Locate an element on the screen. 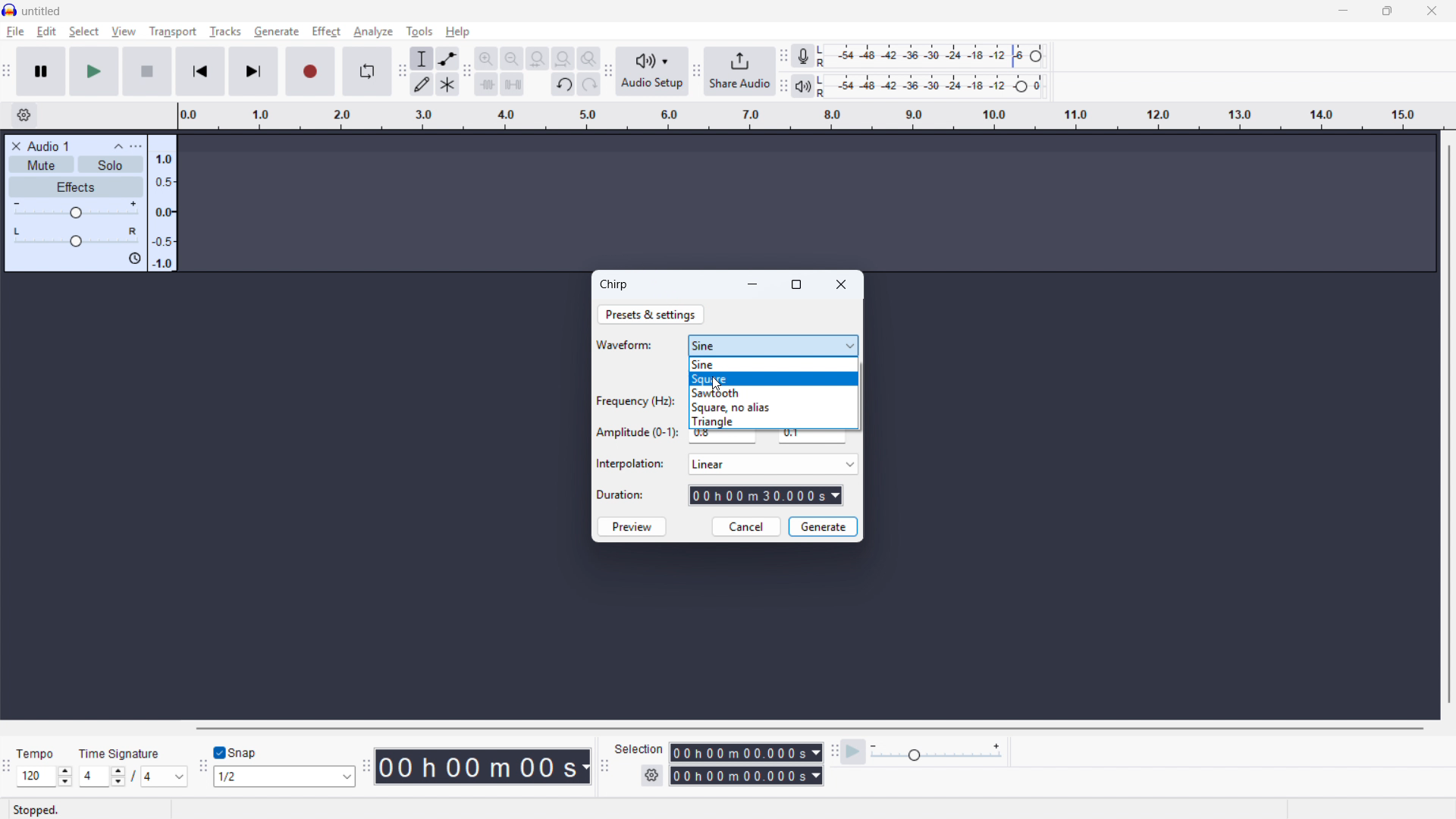  Horizontal scroll bar  is located at coordinates (811, 728).